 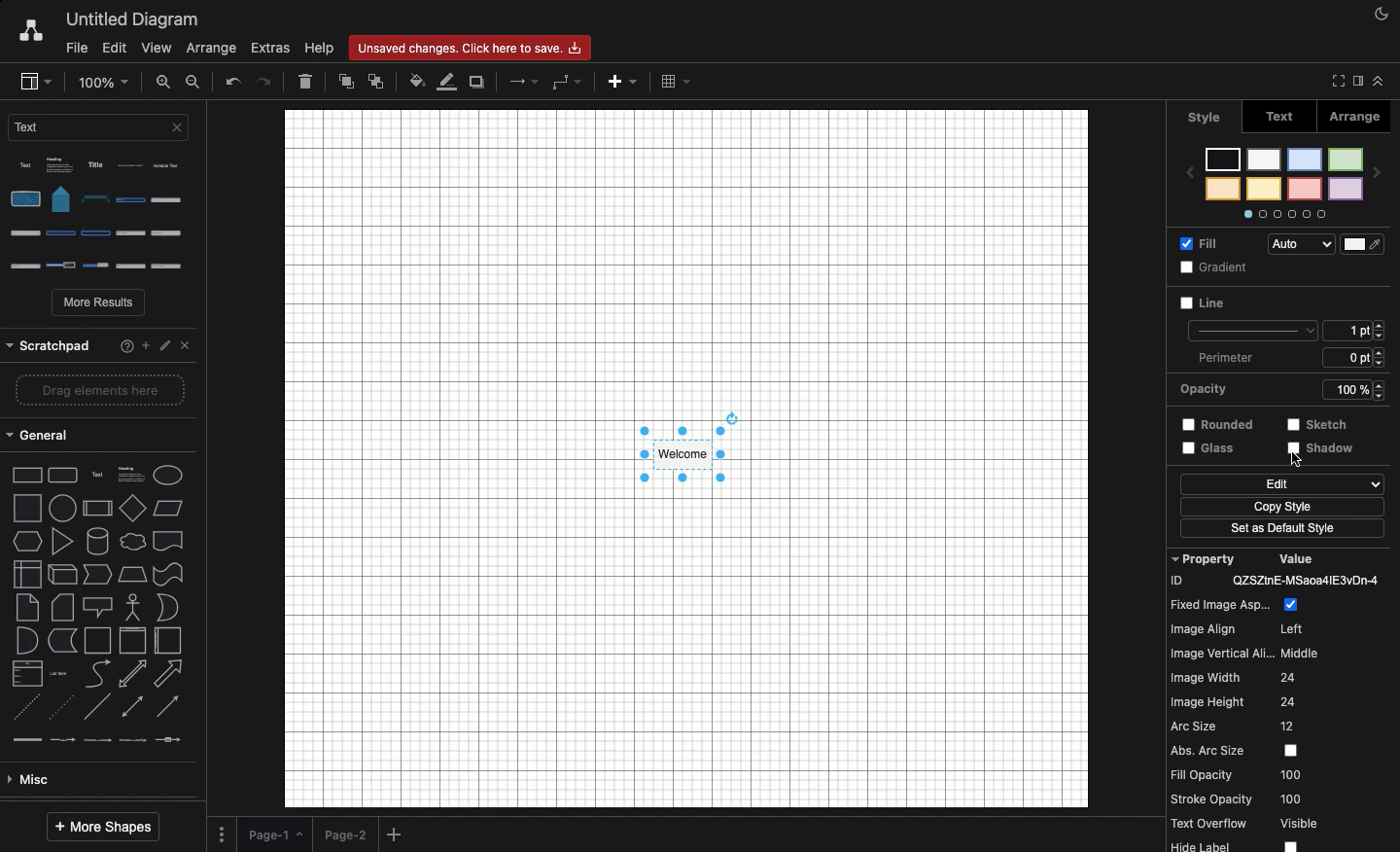 I want to click on Fullscreen, so click(x=1335, y=81).